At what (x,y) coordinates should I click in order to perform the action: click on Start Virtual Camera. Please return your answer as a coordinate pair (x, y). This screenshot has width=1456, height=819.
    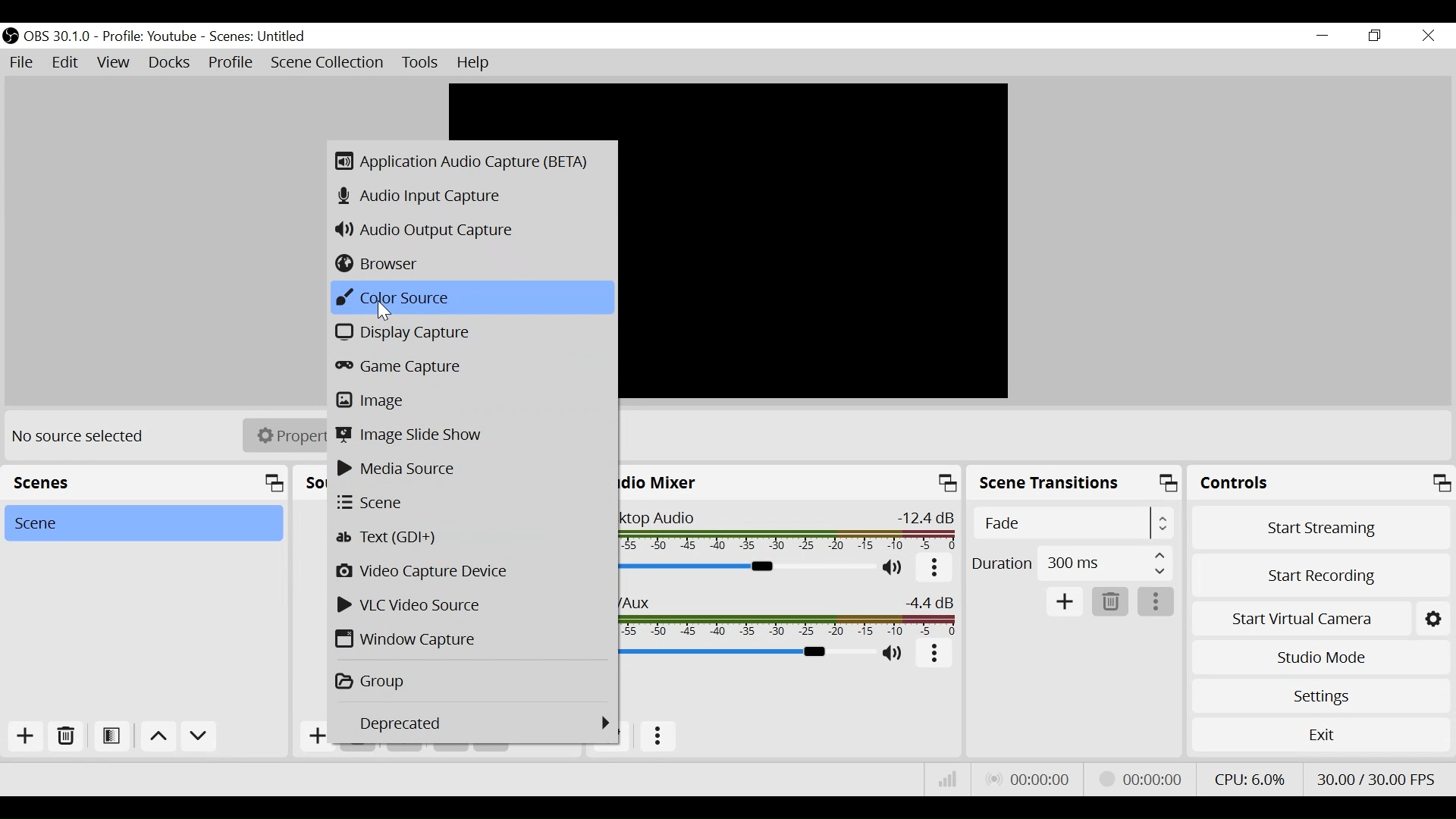
    Looking at the image, I should click on (1321, 620).